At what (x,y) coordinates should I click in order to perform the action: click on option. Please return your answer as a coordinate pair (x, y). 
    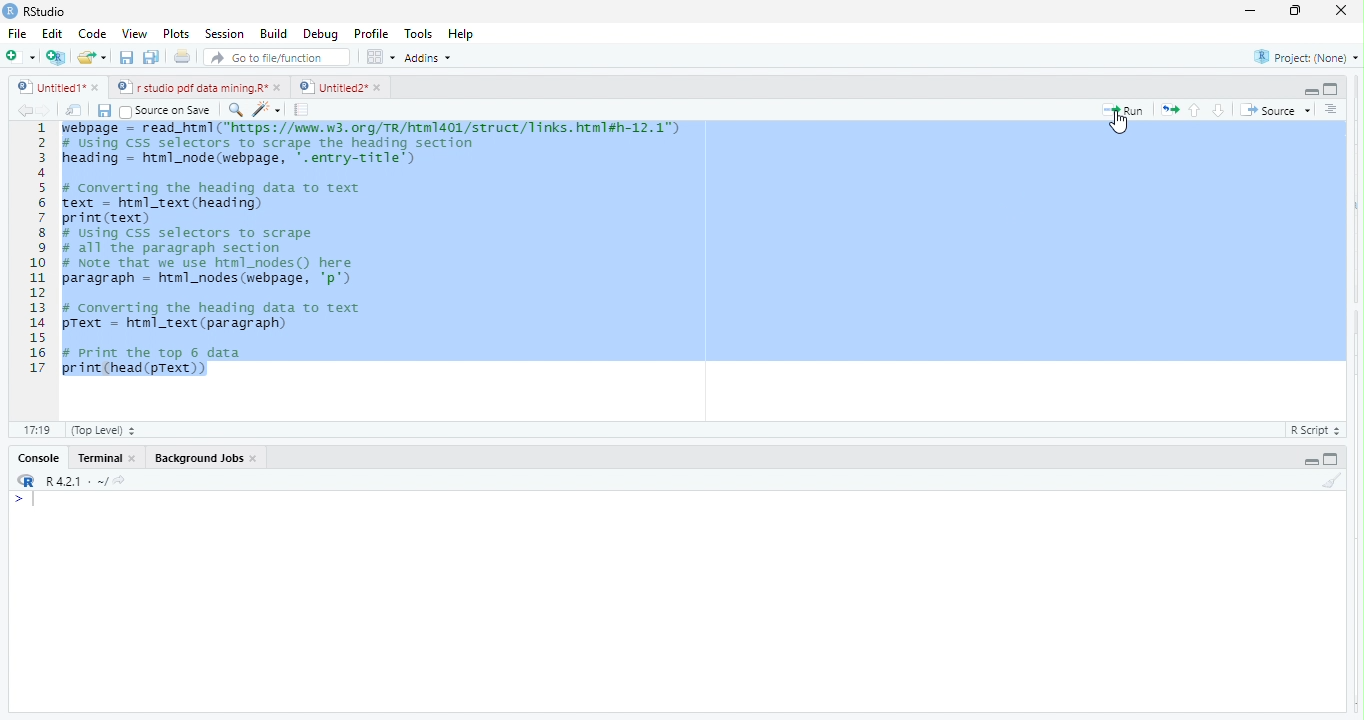
    Looking at the image, I should click on (380, 56).